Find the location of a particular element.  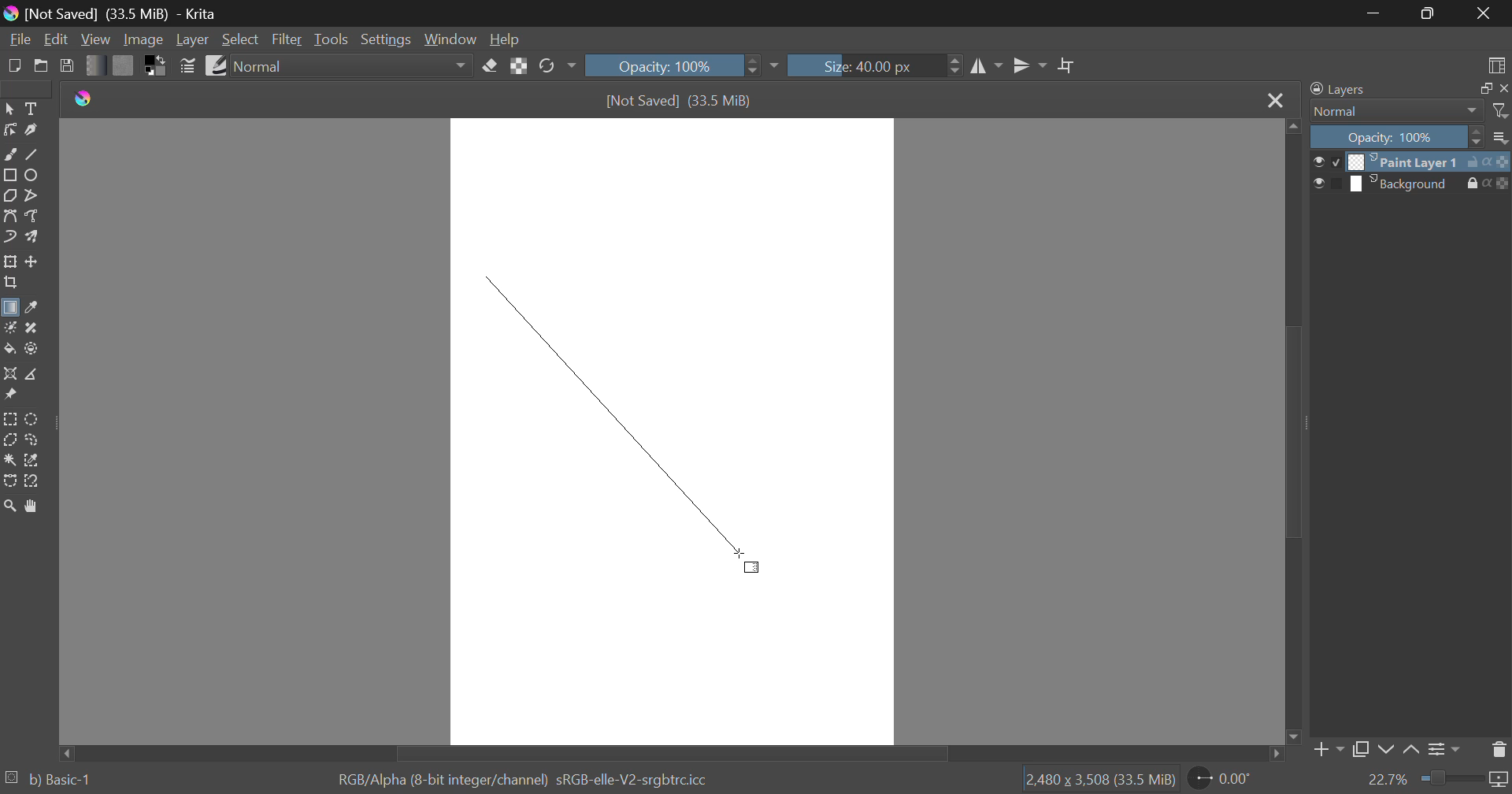

File is located at coordinates (18, 38).